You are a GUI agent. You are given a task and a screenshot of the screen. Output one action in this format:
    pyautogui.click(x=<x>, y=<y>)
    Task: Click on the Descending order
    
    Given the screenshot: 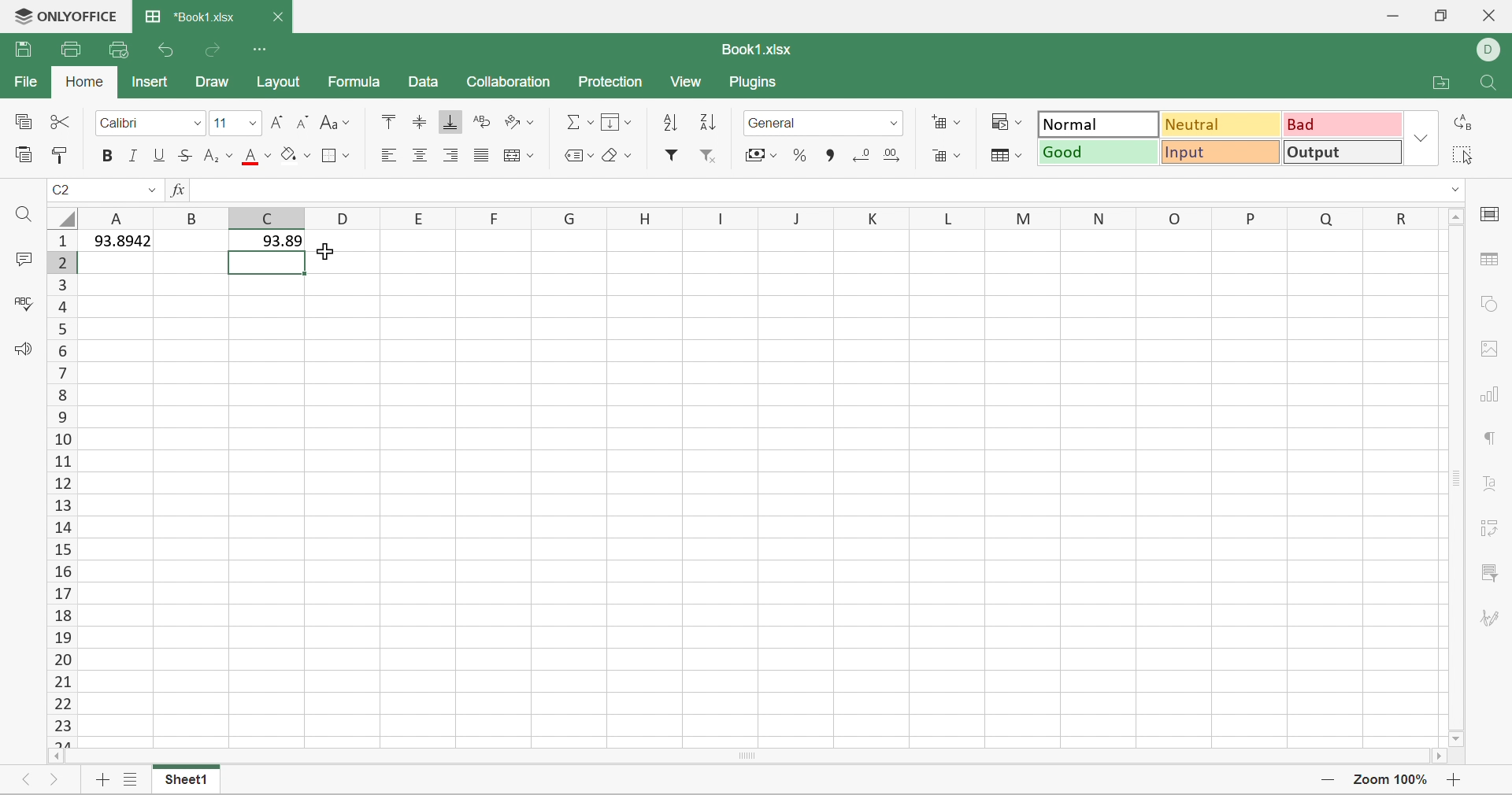 What is the action you would take?
    pyautogui.click(x=706, y=122)
    